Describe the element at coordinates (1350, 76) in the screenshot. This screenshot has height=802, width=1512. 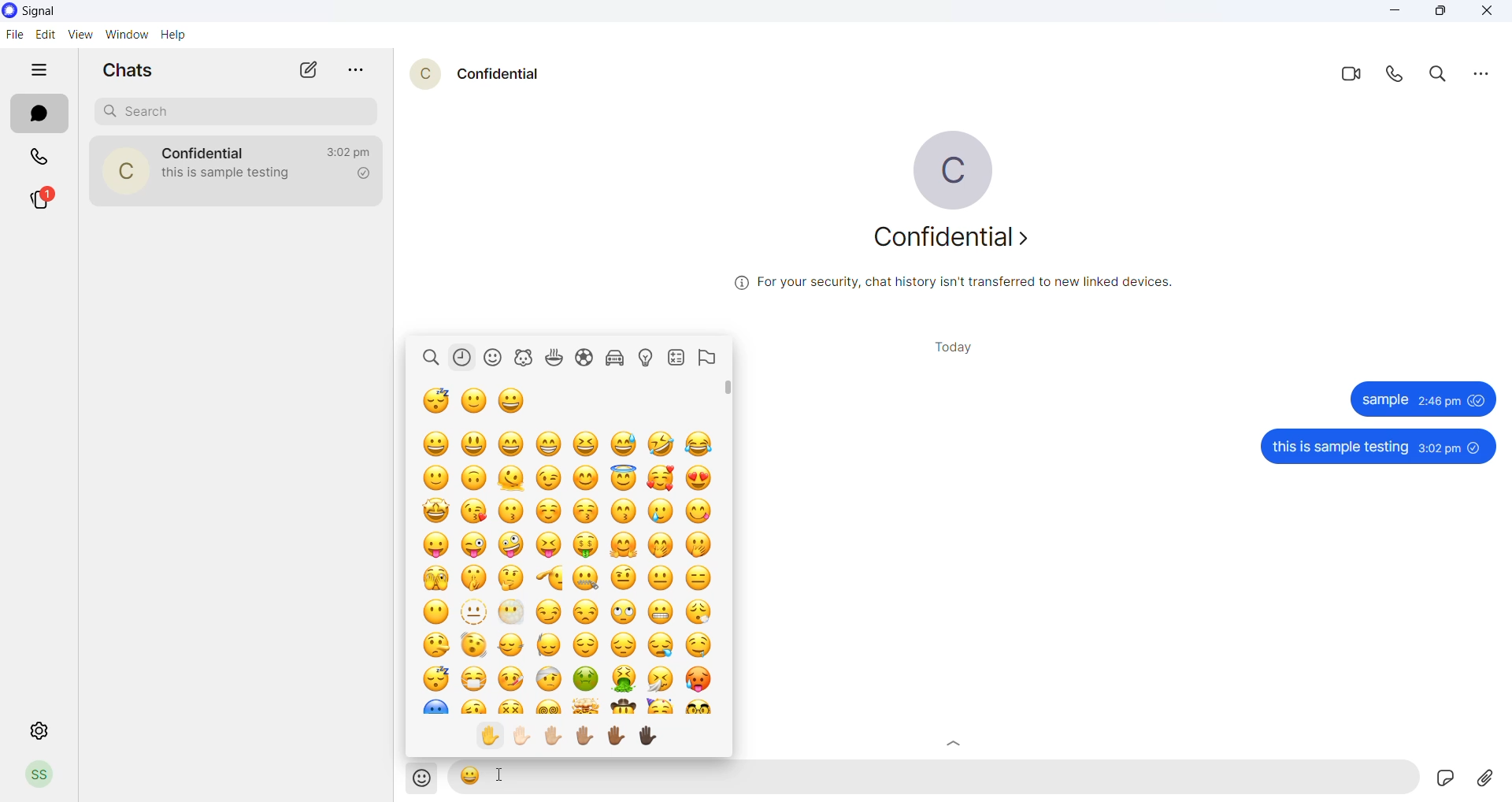
I see `video call` at that location.